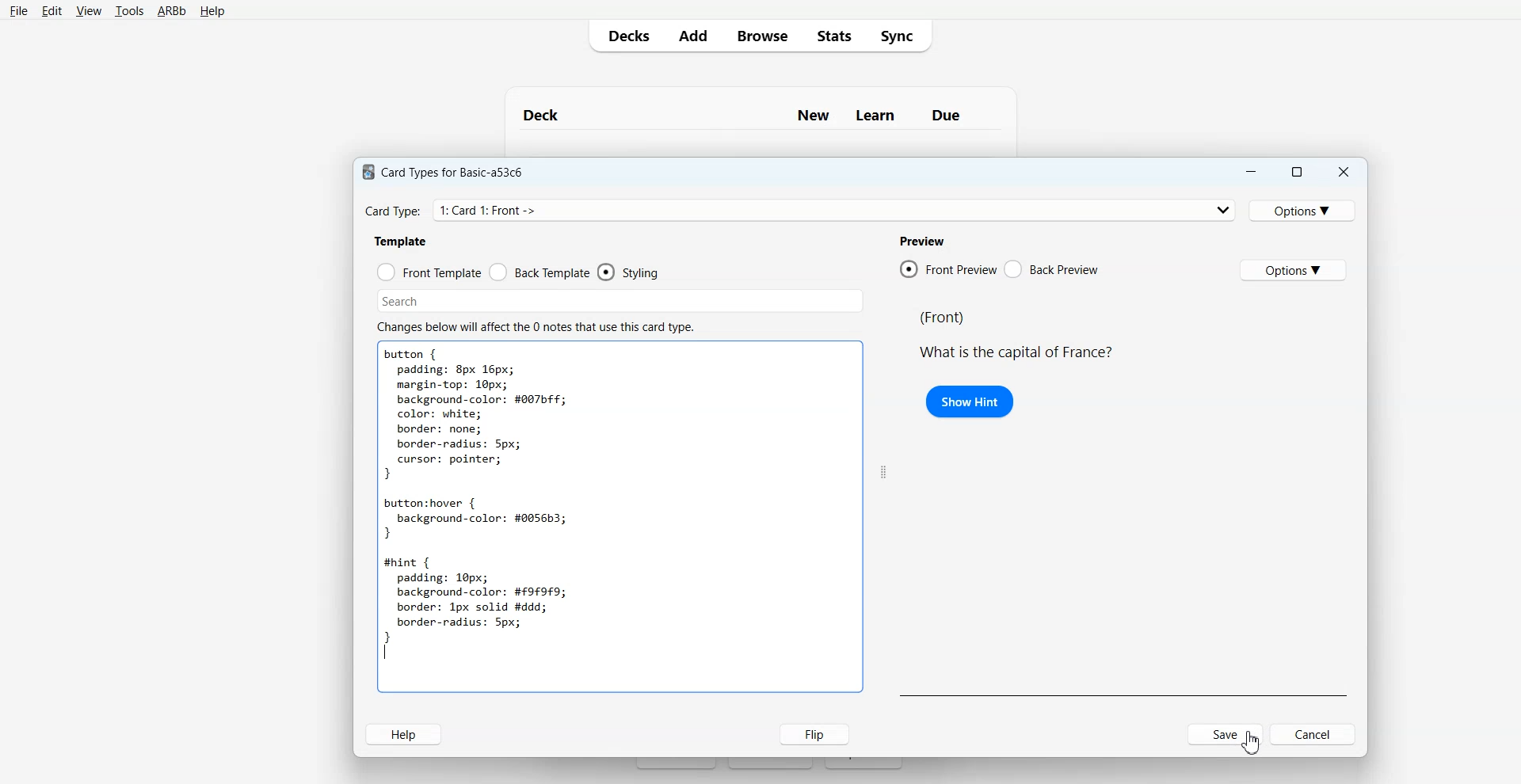 The height and width of the screenshot is (784, 1521). Describe the element at coordinates (630, 272) in the screenshot. I see `Styling` at that location.